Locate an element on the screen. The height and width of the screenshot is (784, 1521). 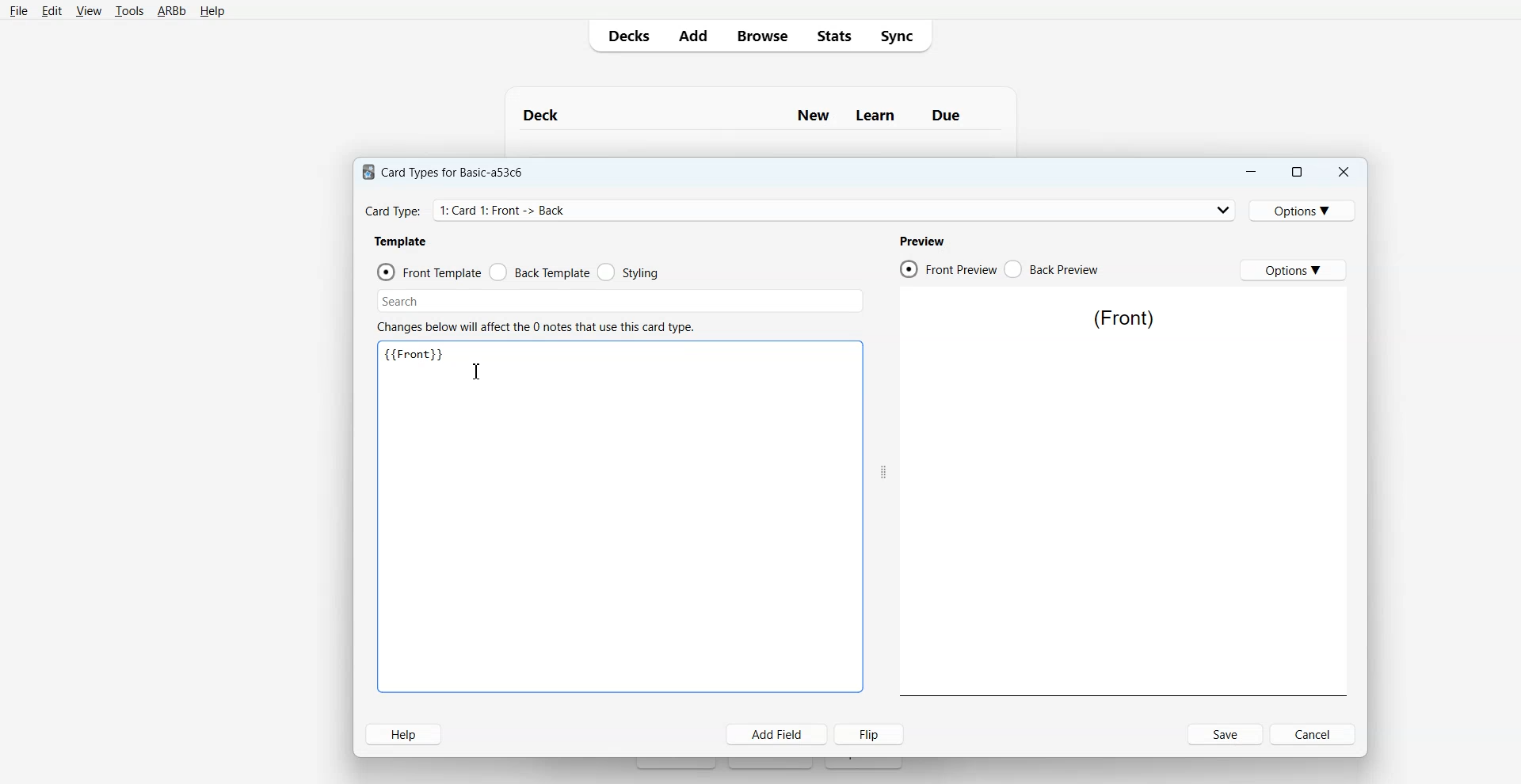
Front Template is located at coordinates (429, 272).